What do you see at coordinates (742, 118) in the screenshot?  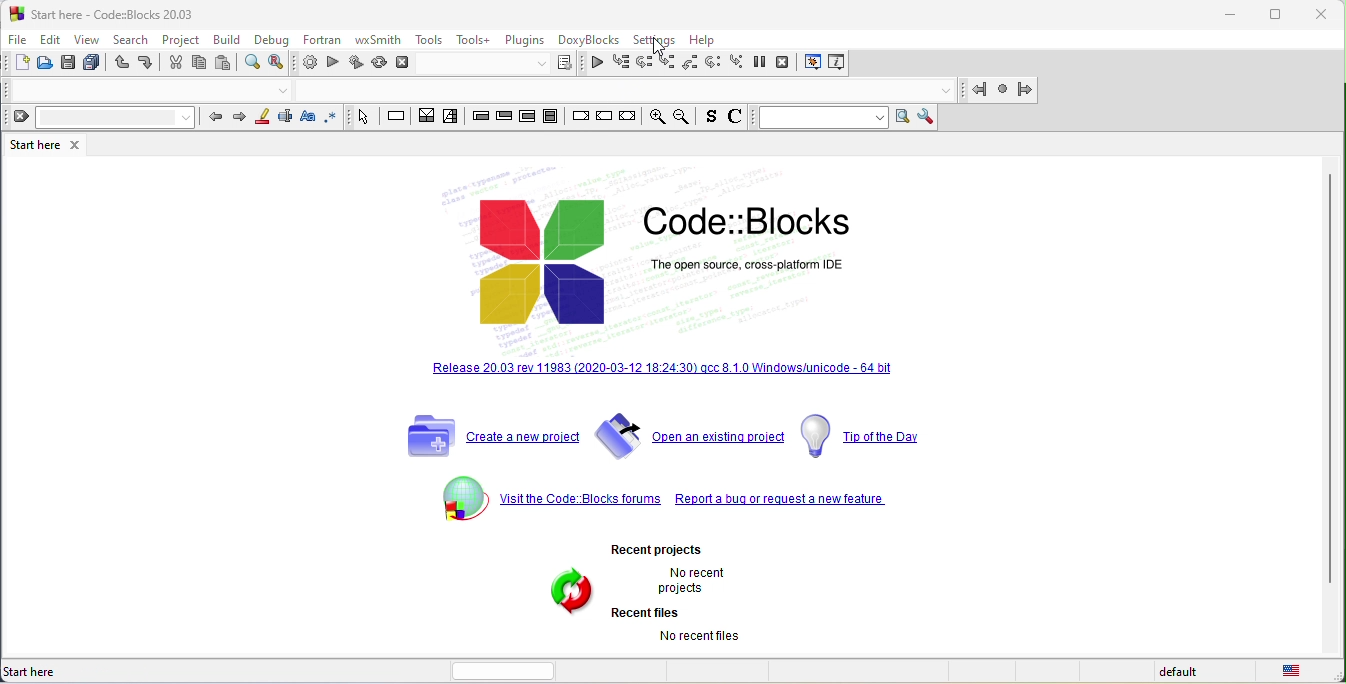 I see `comment` at bounding box center [742, 118].